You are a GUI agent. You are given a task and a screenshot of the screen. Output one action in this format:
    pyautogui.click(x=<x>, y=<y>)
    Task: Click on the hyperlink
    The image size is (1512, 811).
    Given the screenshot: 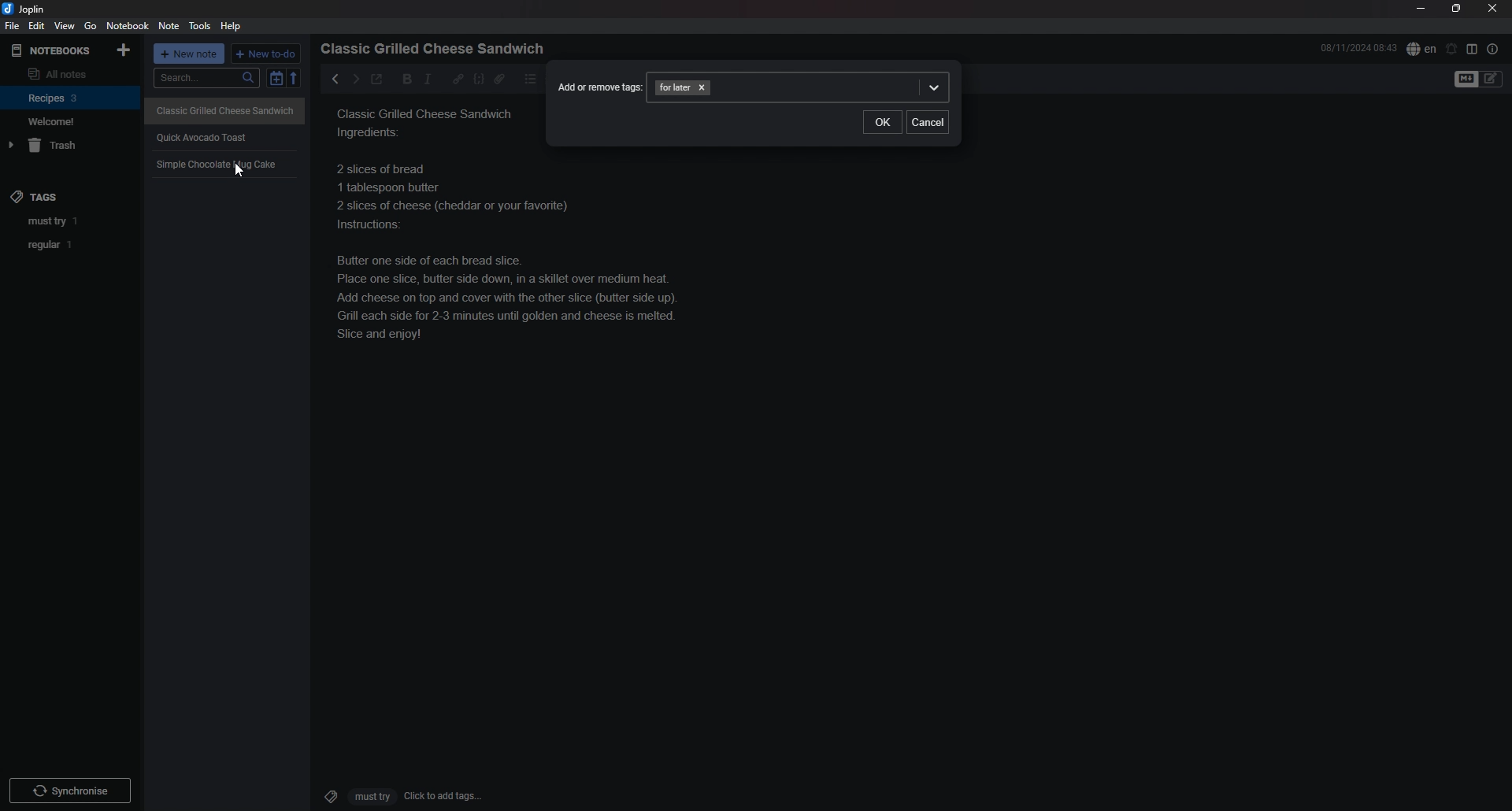 What is the action you would take?
    pyautogui.click(x=458, y=78)
    